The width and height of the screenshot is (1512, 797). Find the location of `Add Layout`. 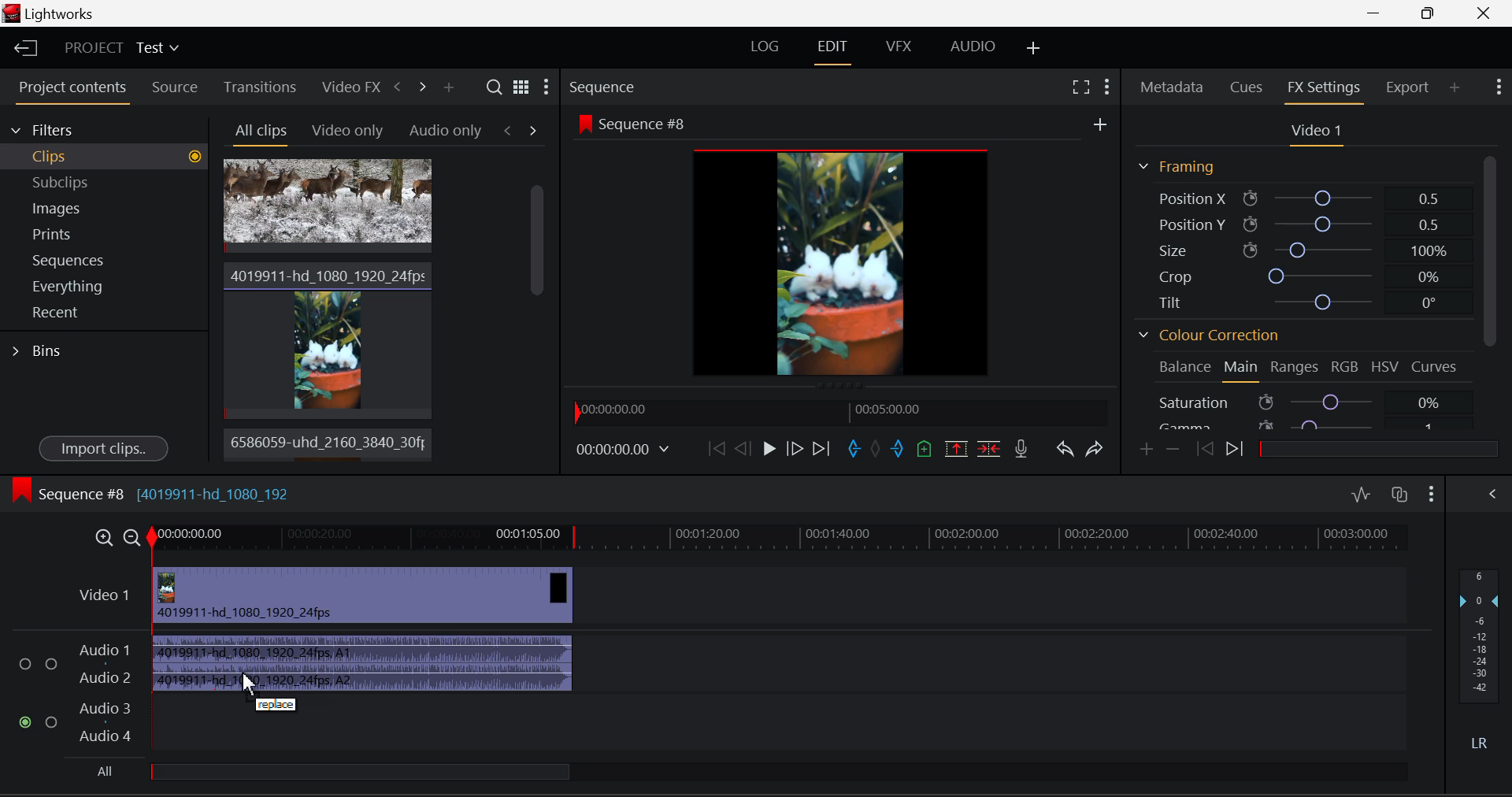

Add Layout is located at coordinates (1031, 46).